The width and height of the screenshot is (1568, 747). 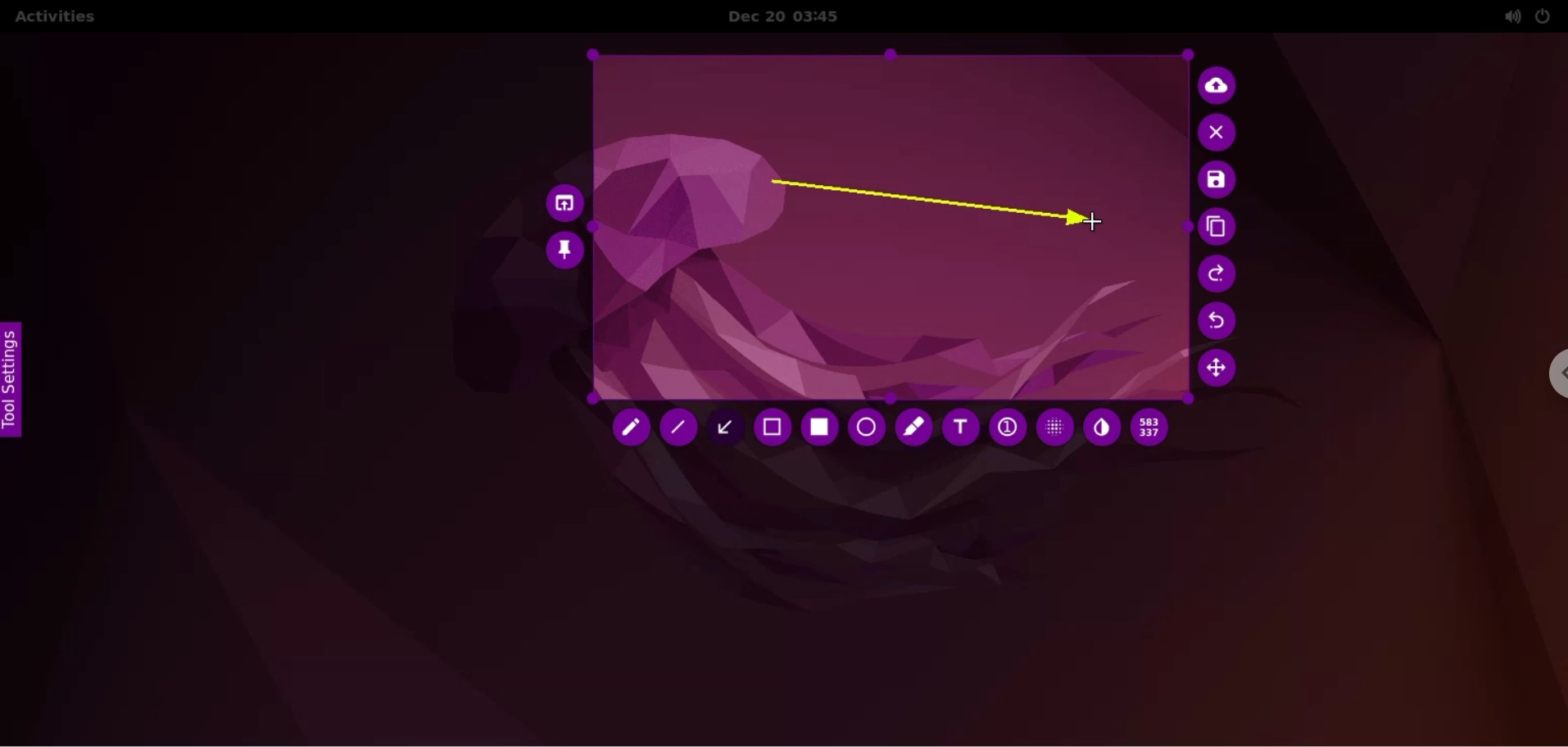 I want to click on cursor, so click(x=1094, y=223).